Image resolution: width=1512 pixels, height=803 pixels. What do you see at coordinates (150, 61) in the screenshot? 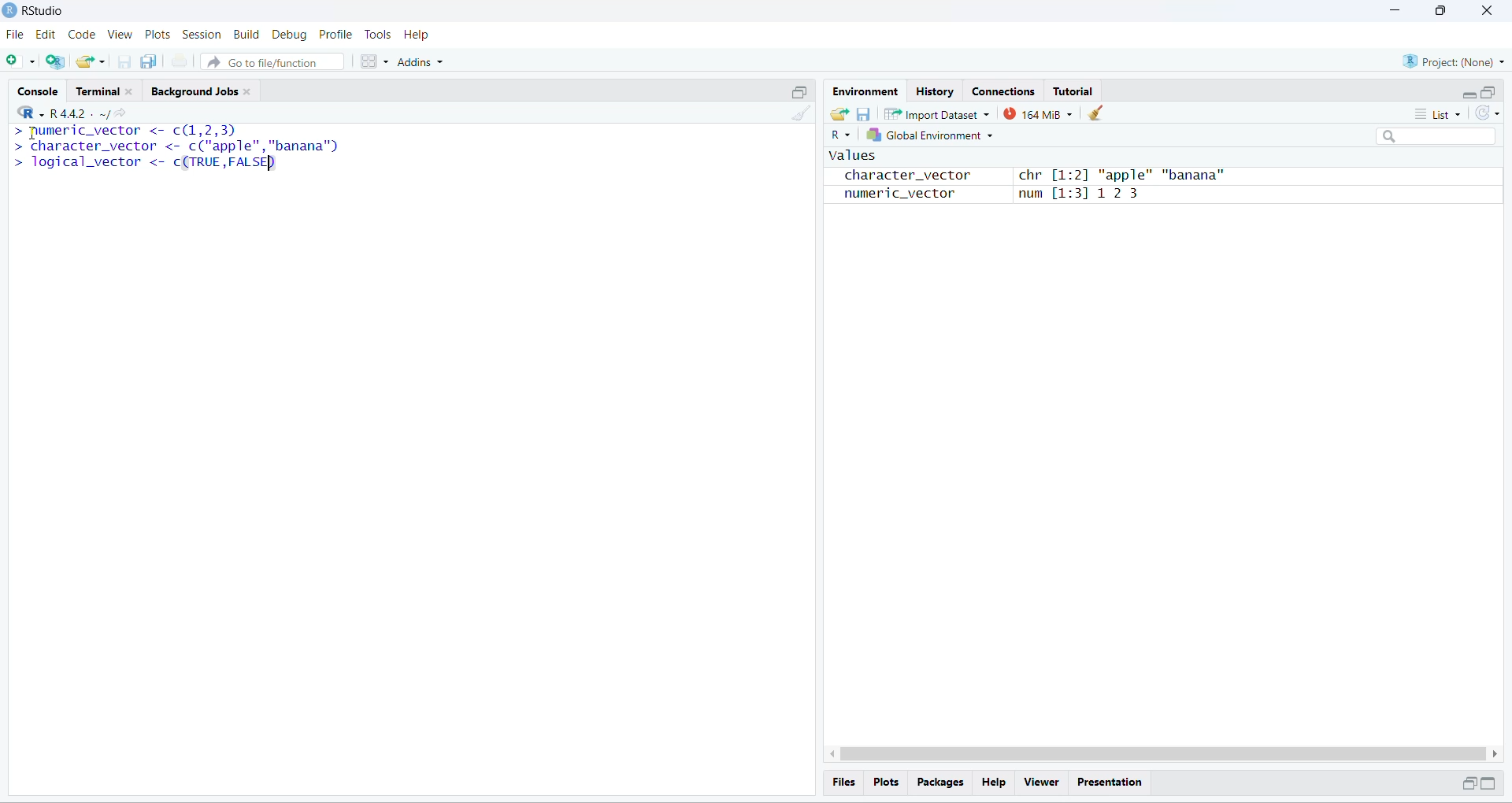
I see `save all open document` at bounding box center [150, 61].